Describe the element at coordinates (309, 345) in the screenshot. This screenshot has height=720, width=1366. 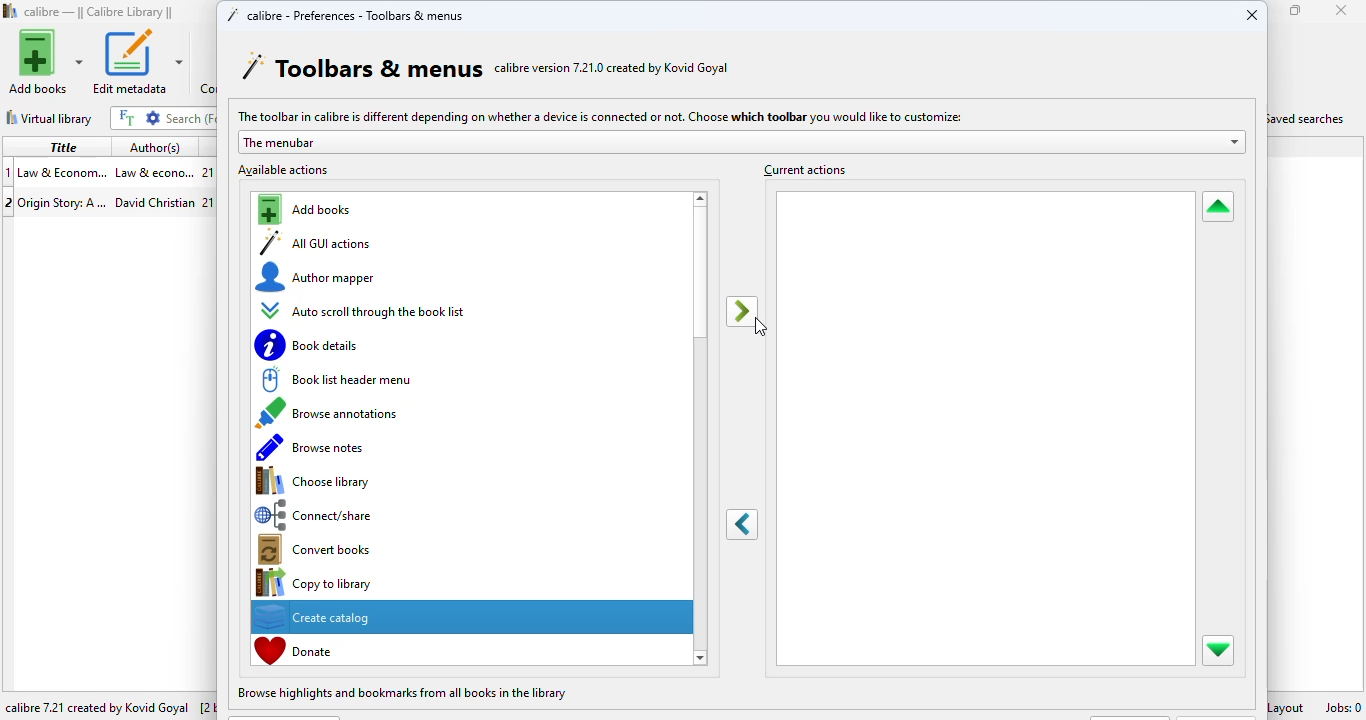
I see `book details` at that location.